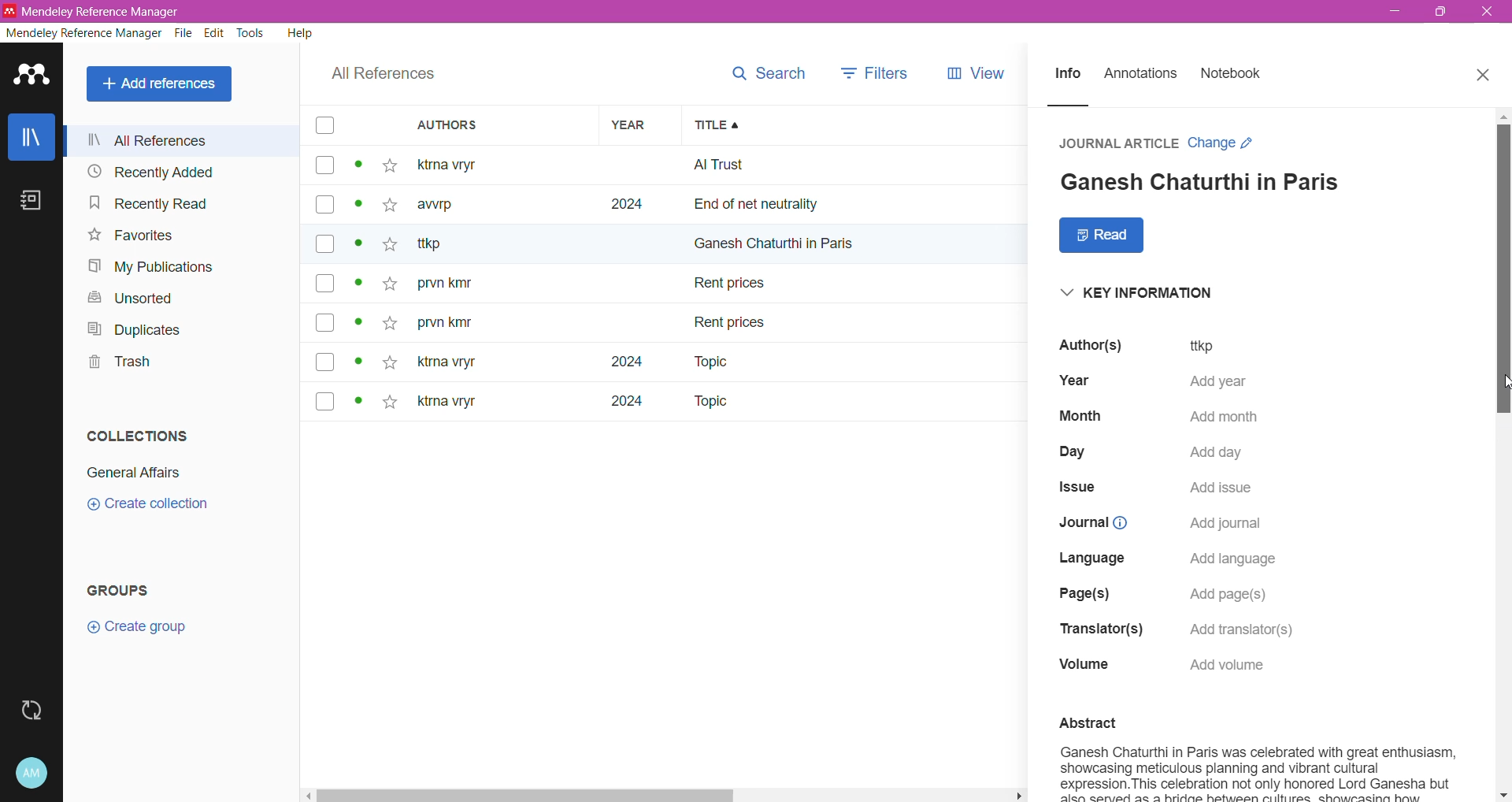  I want to click on Page(s), so click(1080, 596).